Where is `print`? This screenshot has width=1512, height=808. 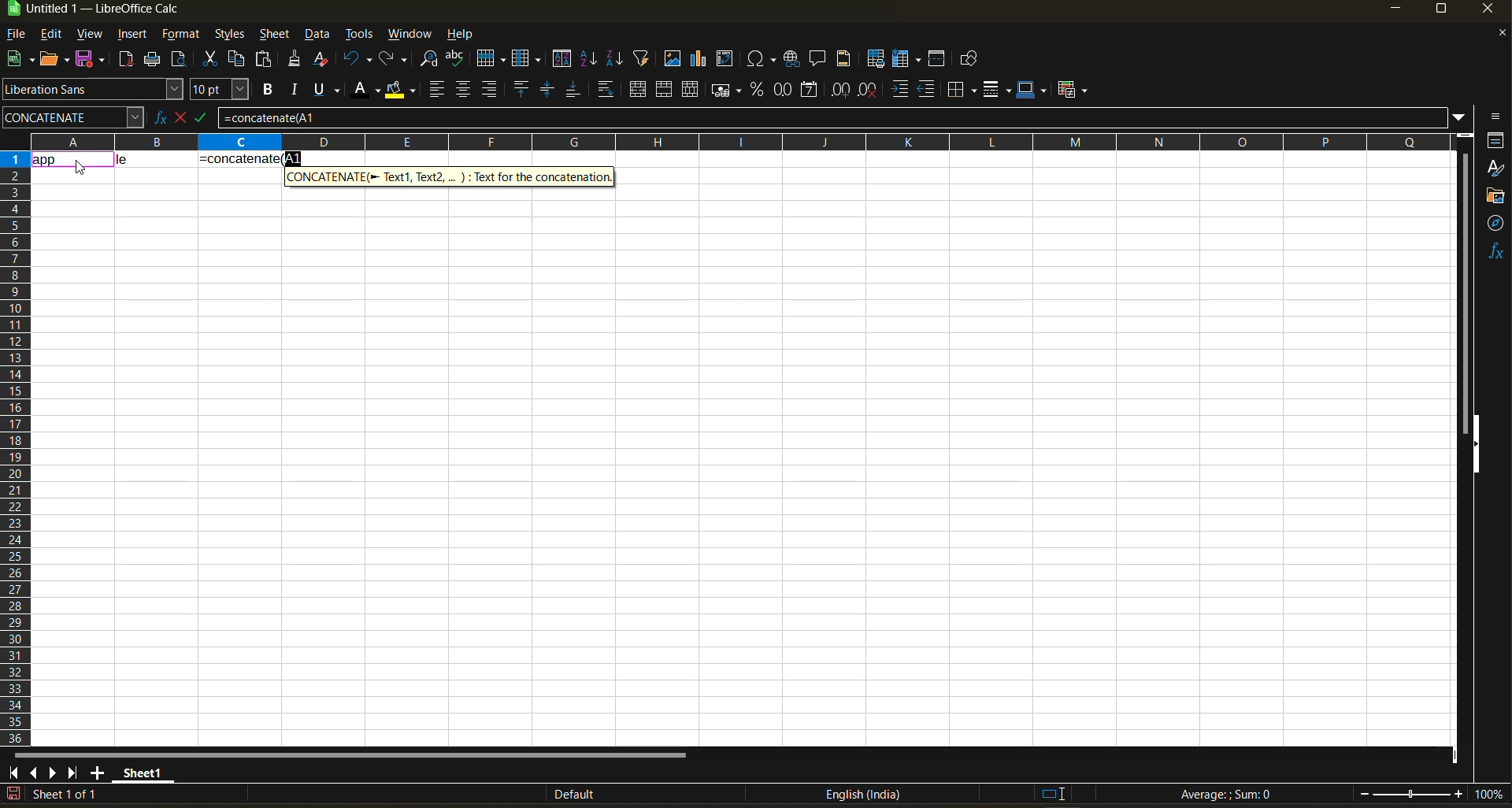 print is located at coordinates (152, 60).